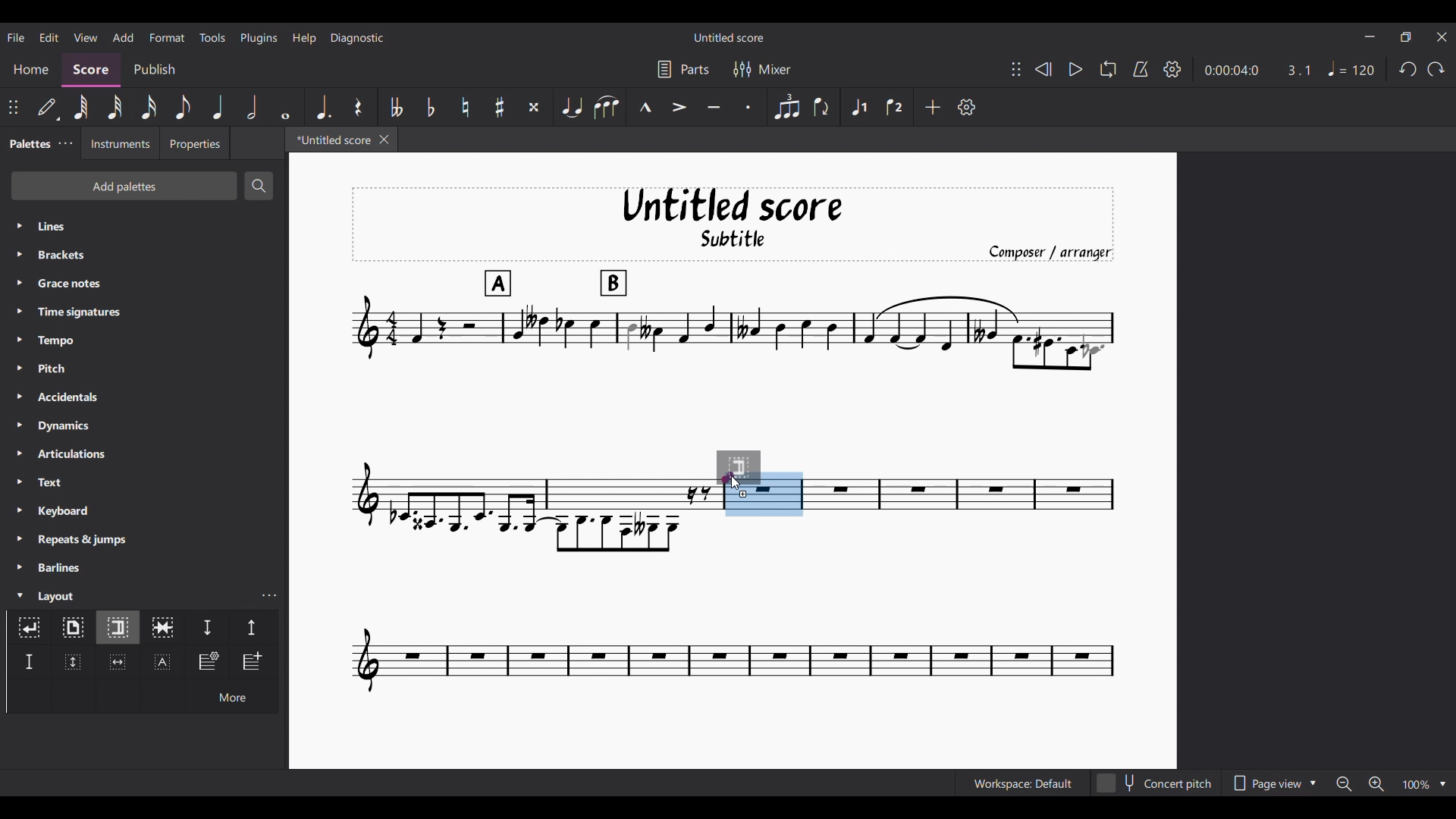  What do you see at coordinates (645, 107) in the screenshot?
I see `Marcato` at bounding box center [645, 107].